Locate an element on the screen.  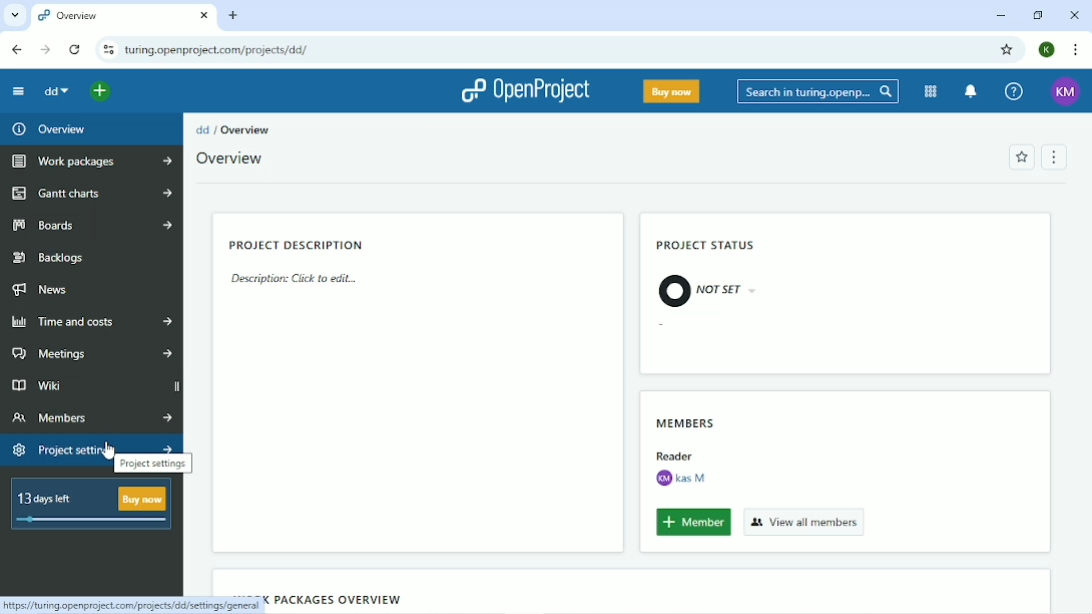
Open quick add menu is located at coordinates (104, 92).